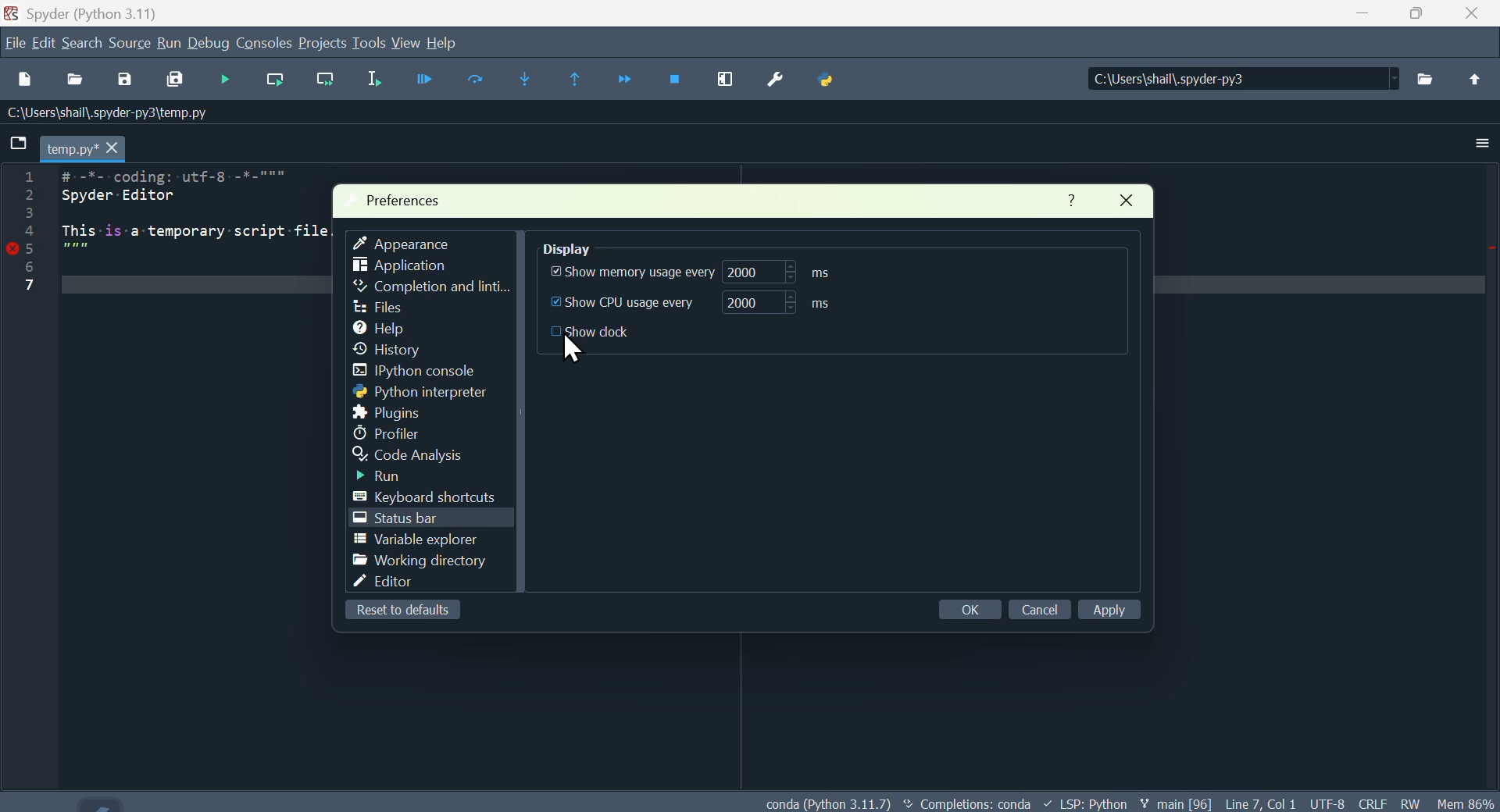 This screenshot has height=812, width=1500. Describe the element at coordinates (424, 456) in the screenshot. I see `Code analysis` at that location.